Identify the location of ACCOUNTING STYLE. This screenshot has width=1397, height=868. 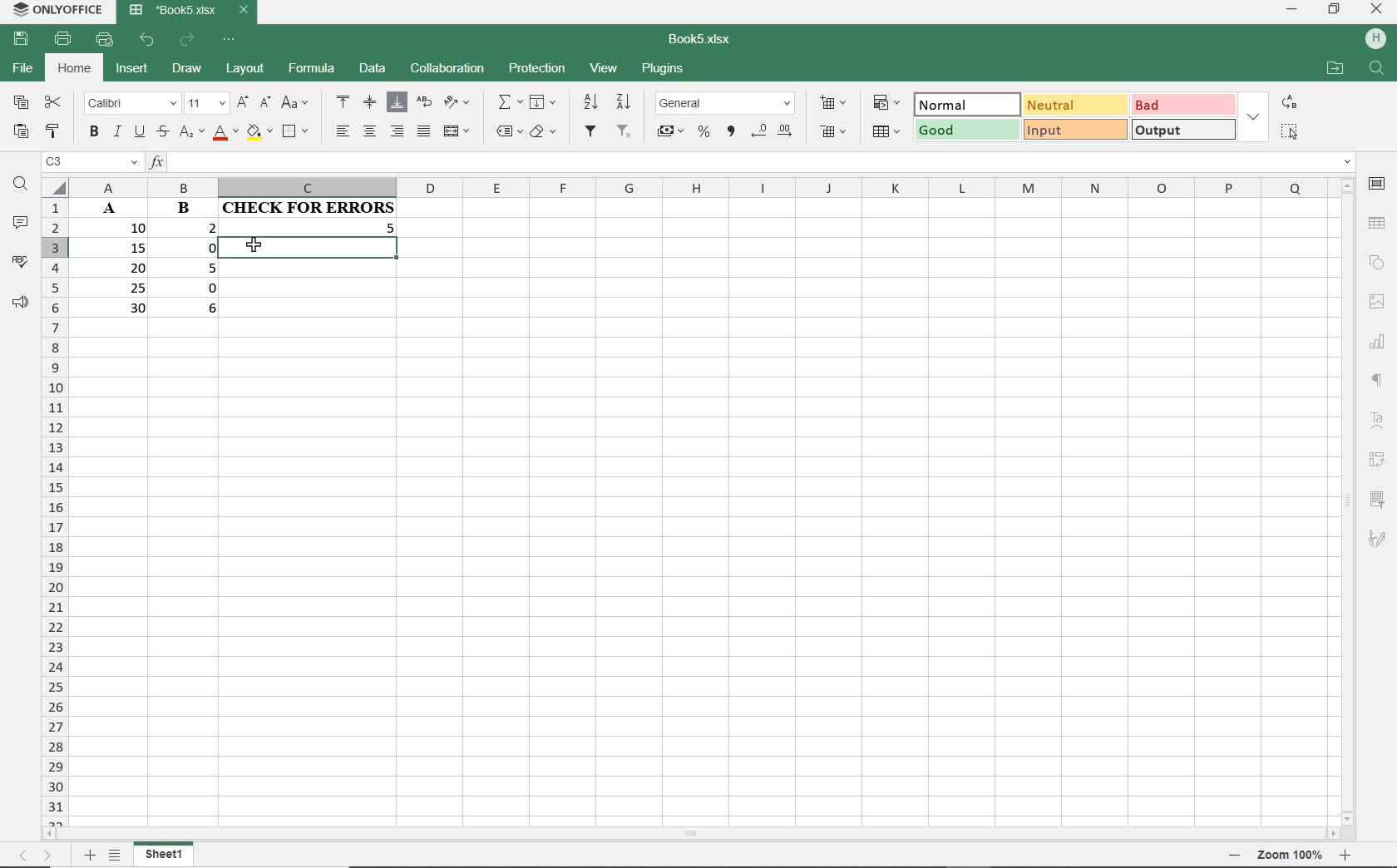
(670, 131).